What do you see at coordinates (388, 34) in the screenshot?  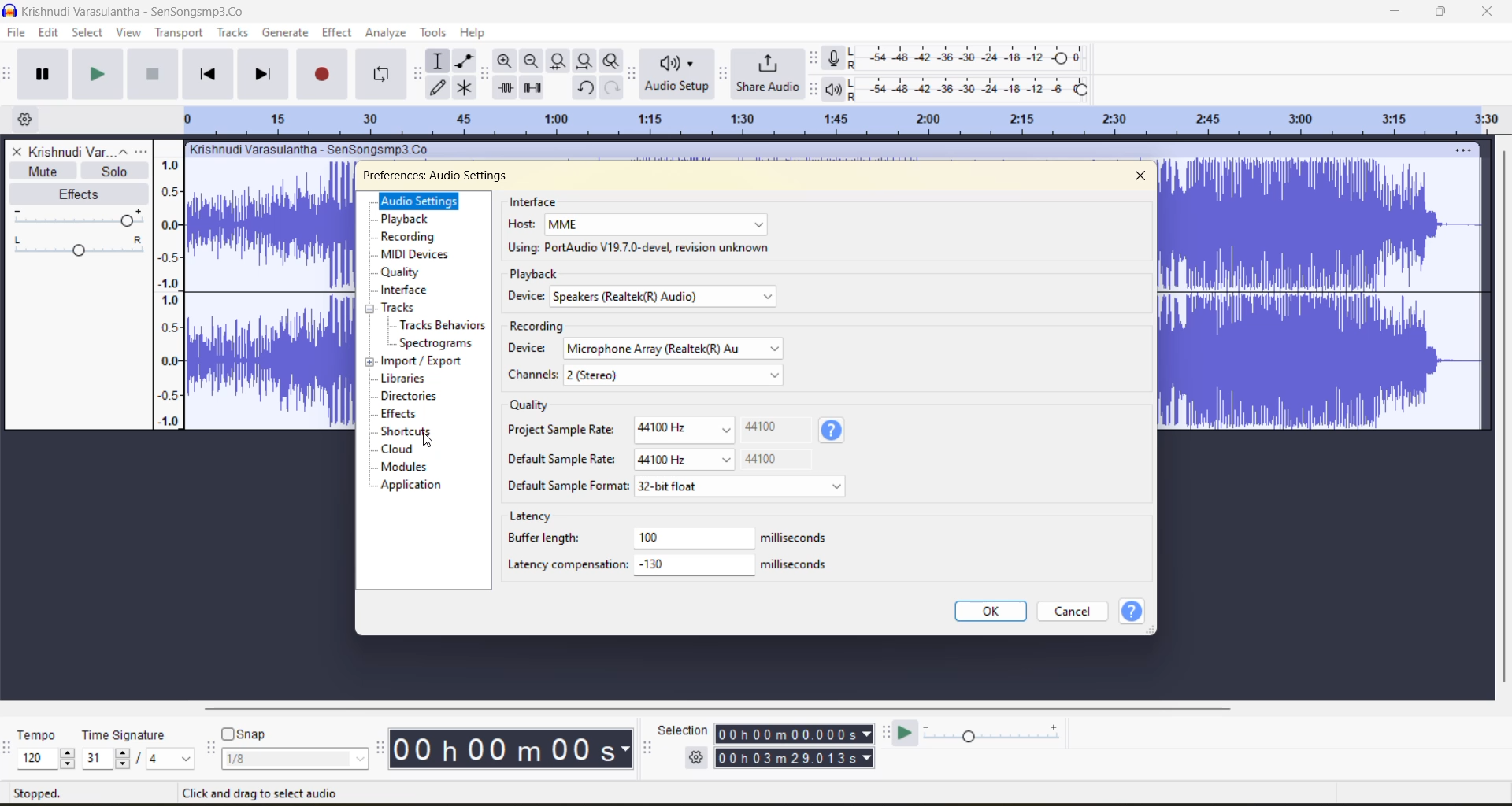 I see `analyze` at bounding box center [388, 34].